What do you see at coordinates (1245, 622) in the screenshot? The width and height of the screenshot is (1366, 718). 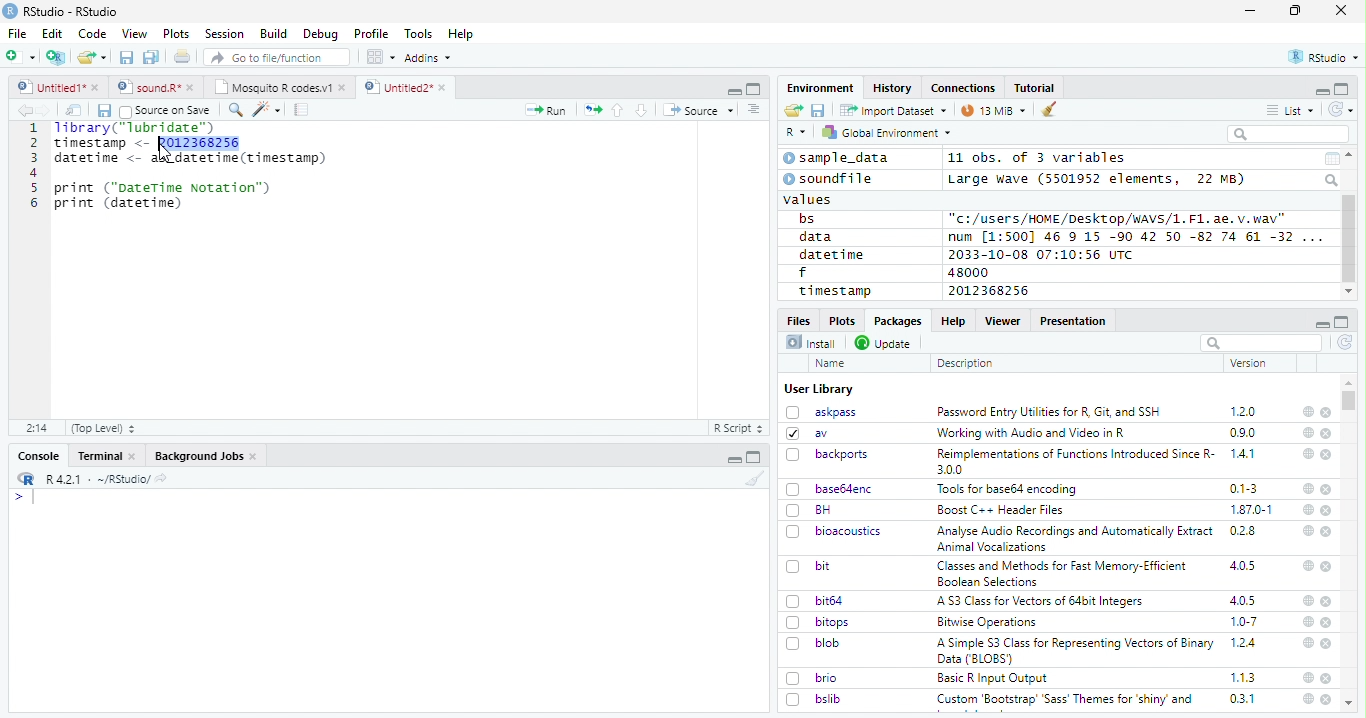 I see `1.0-7` at bounding box center [1245, 622].